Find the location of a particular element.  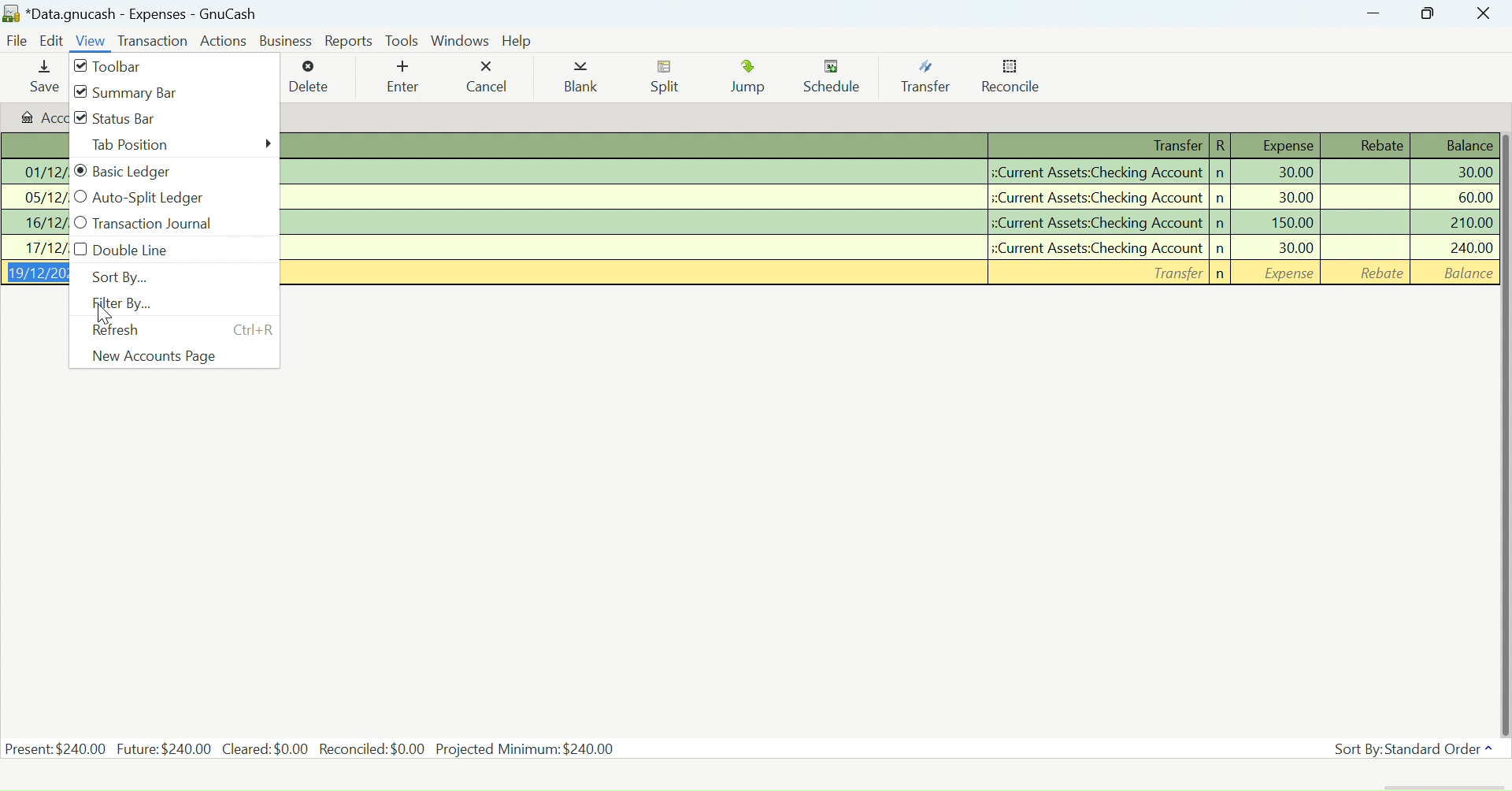

Delete is located at coordinates (309, 77).